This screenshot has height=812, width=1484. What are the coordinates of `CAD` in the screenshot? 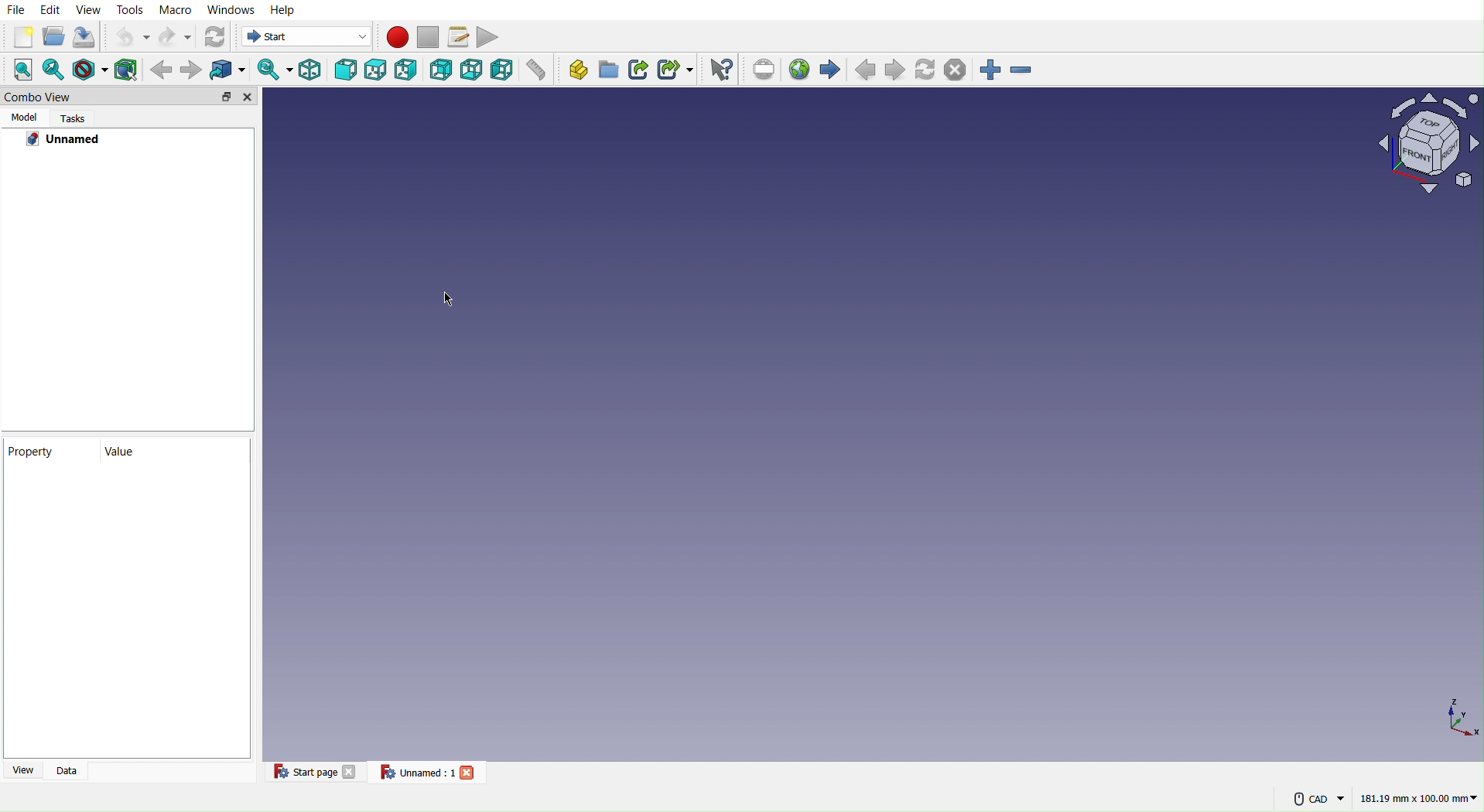 It's located at (1312, 800).